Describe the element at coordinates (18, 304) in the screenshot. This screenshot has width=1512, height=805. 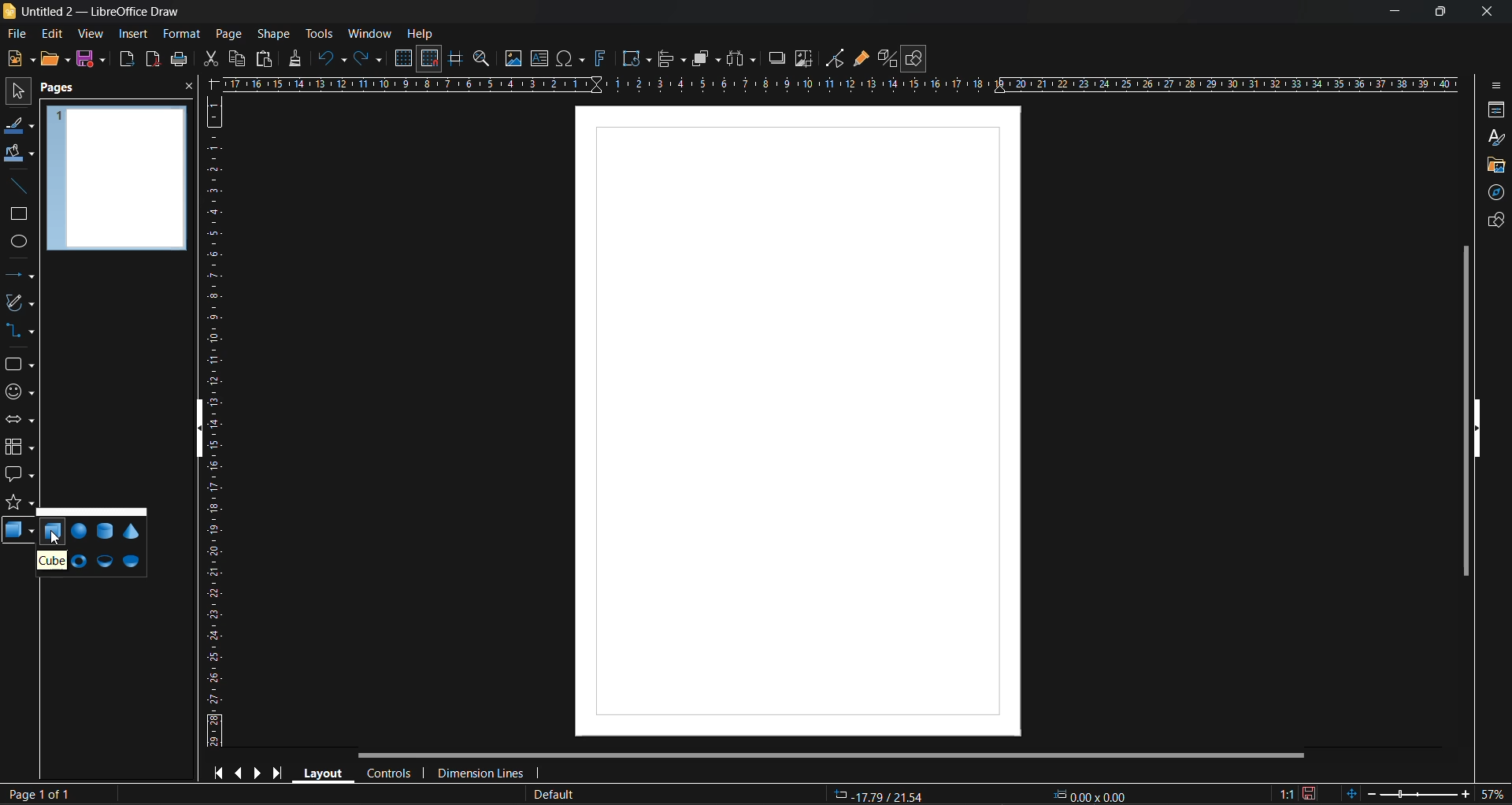
I see `curves and polygons` at that location.